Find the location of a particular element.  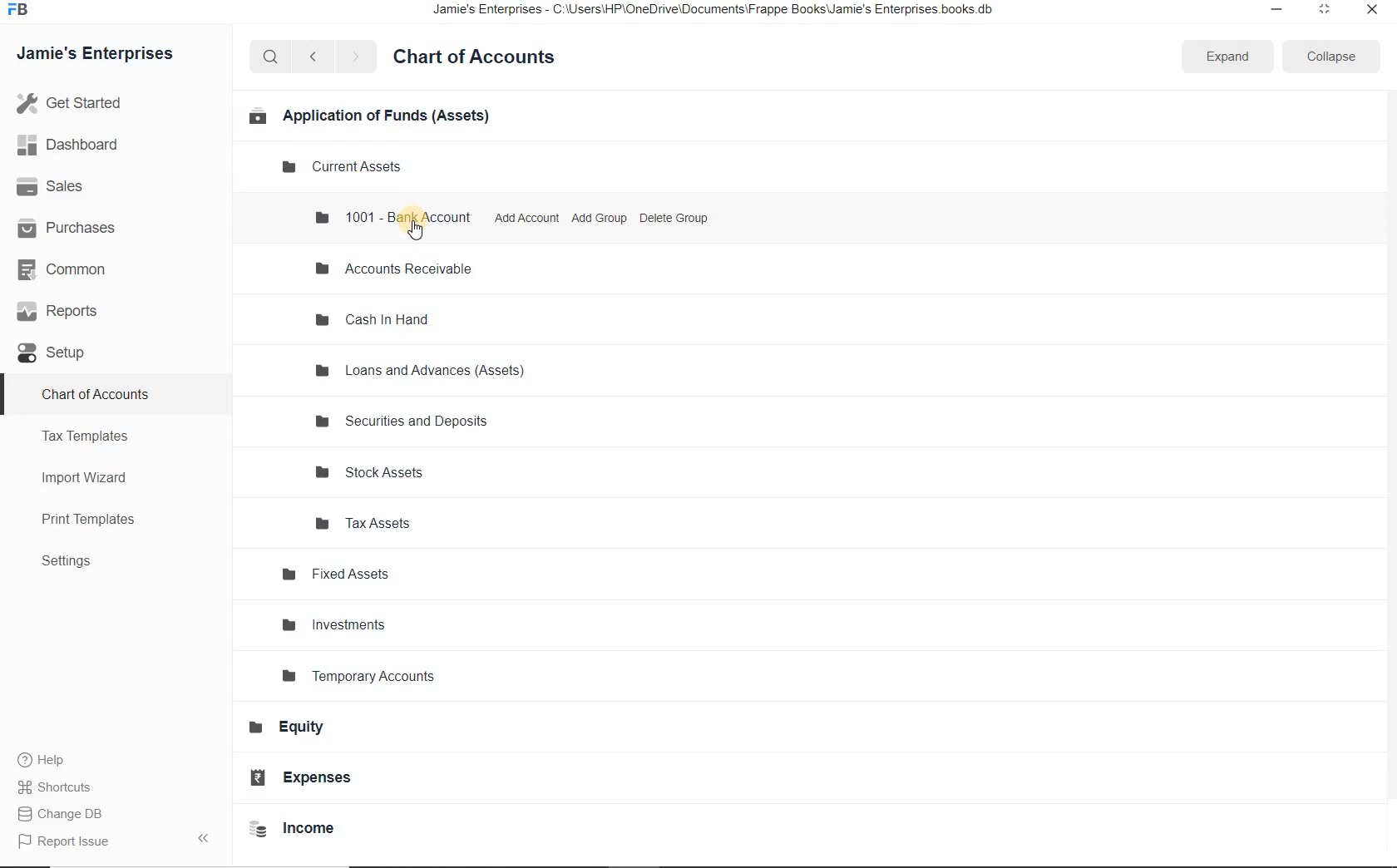

maximize is located at coordinates (1323, 9).